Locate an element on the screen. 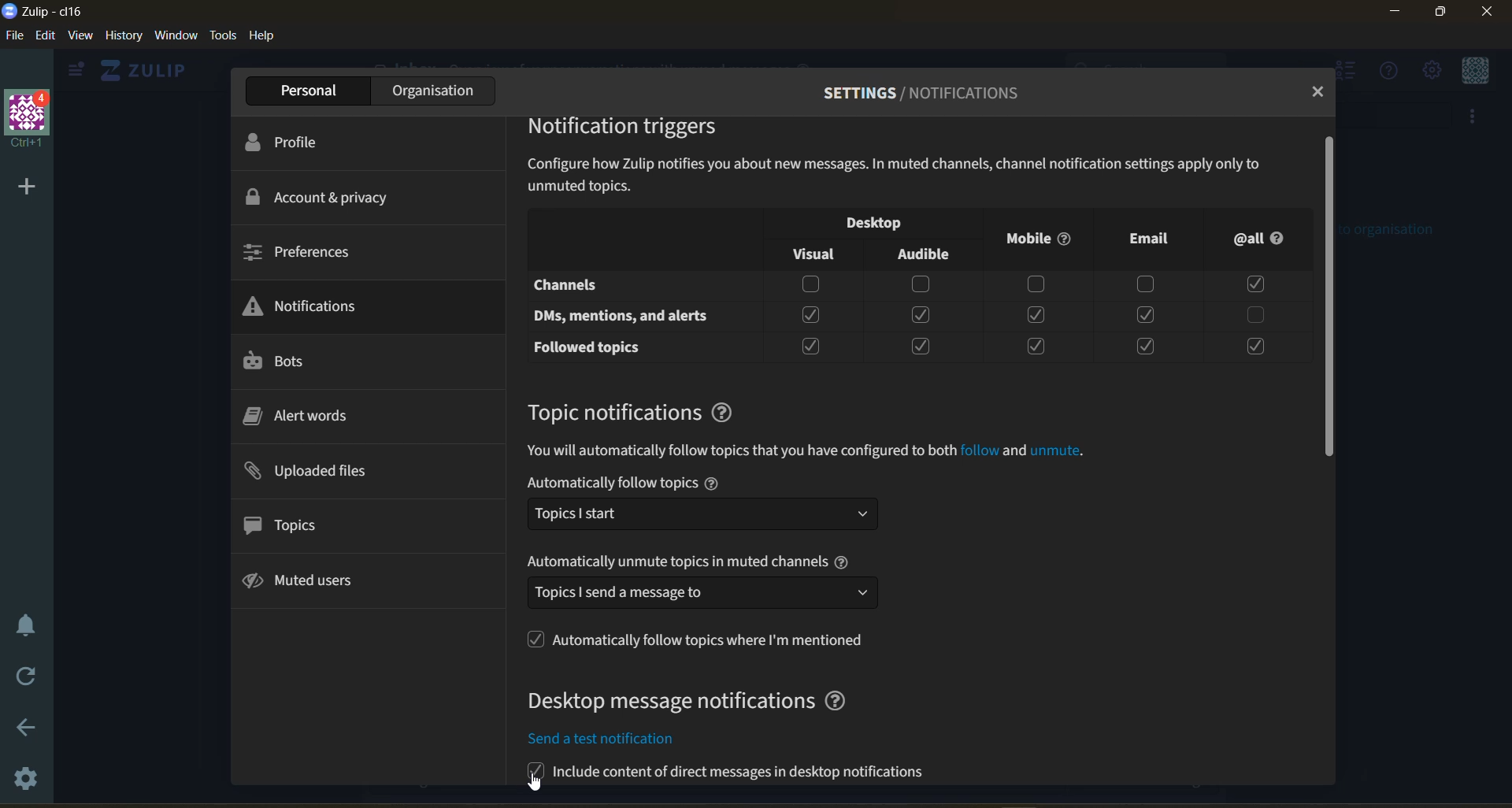  go back is located at coordinates (27, 726).